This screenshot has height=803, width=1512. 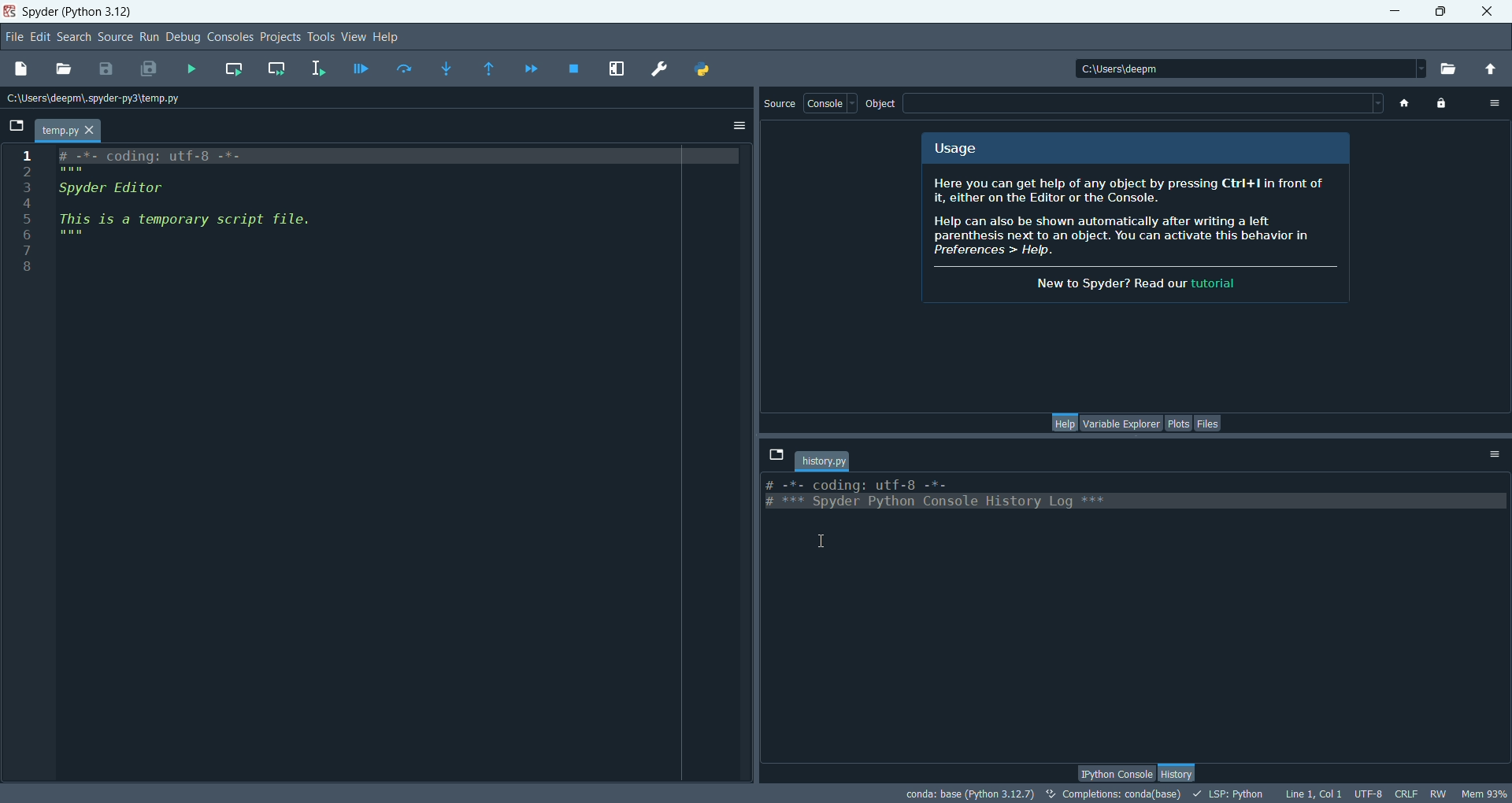 What do you see at coordinates (360, 71) in the screenshot?
I see `debug files` at bounding box center [360, 71].